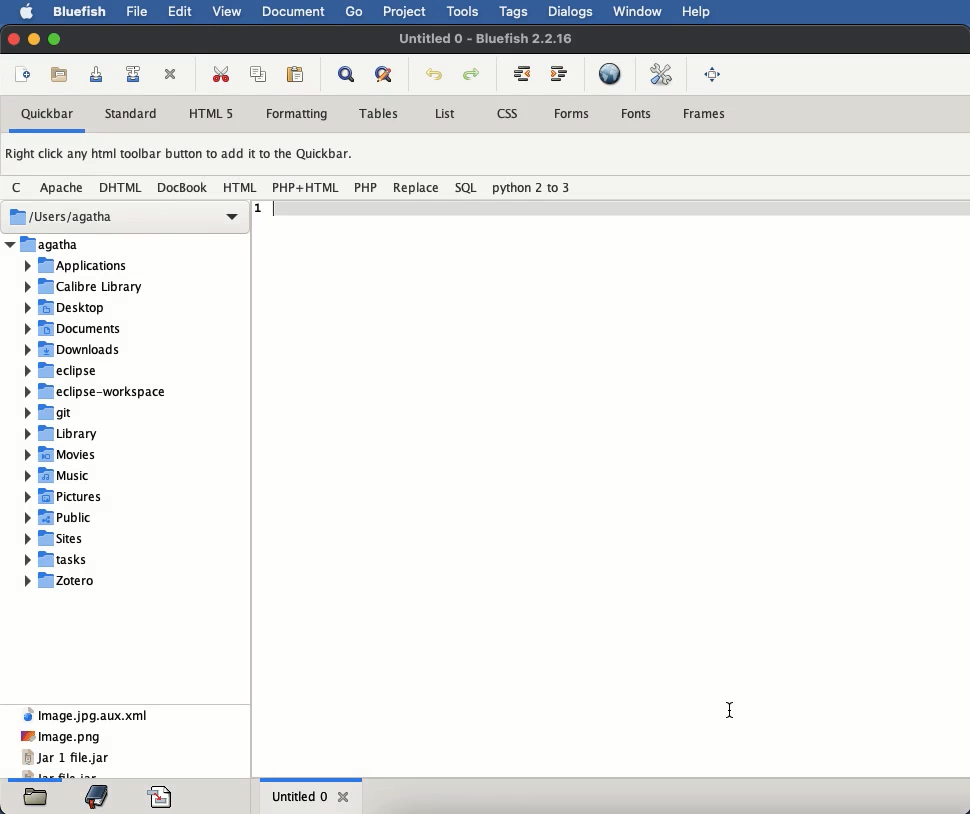 Image resolution: width=970 pixels, height=814 pixels. What do you see at coordinates (473, 75) in the screenshot?
I see `redo` at bounding box center [473, 75].